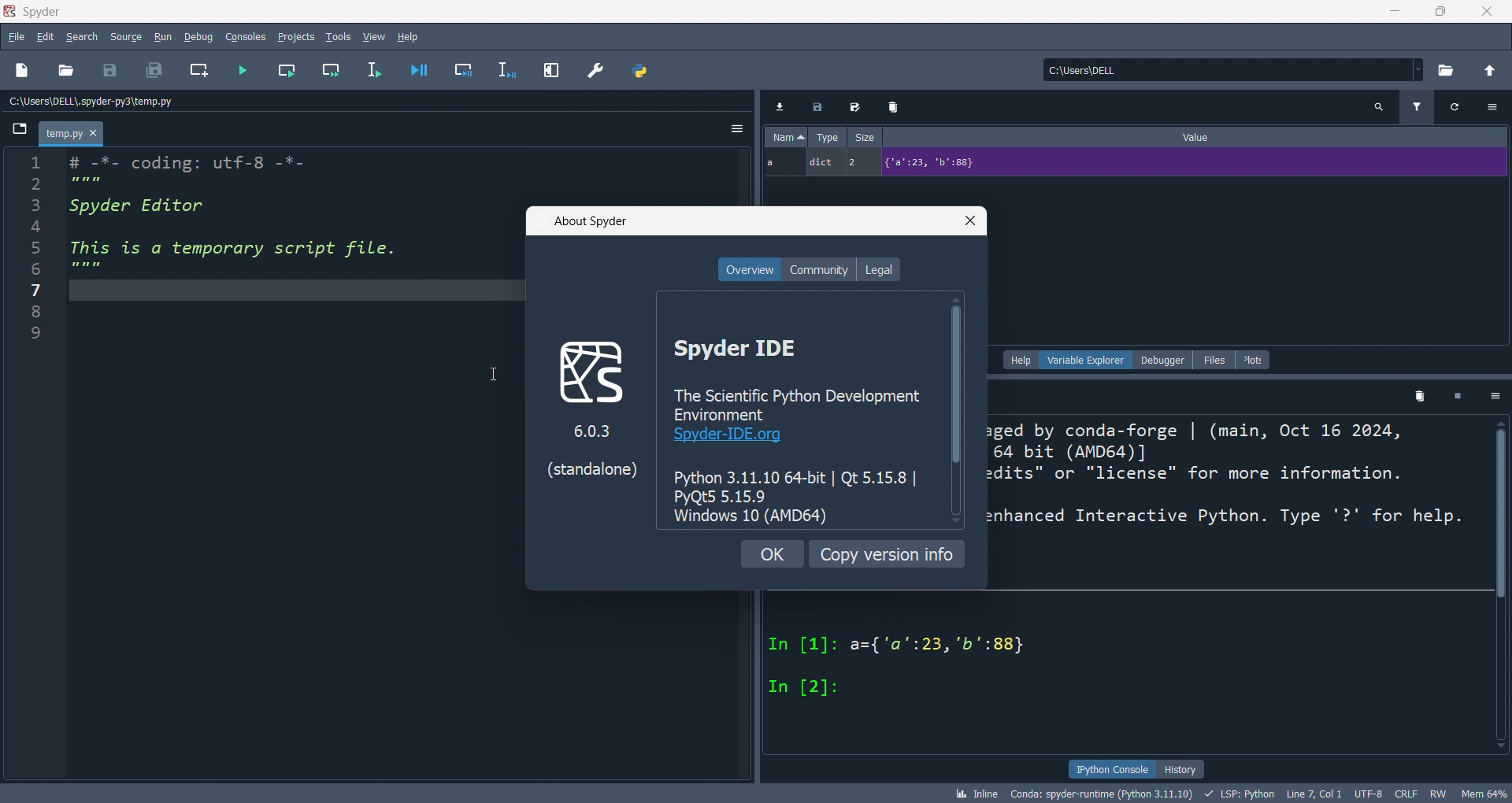  Describe the element at coordinates (736, 128) in the screenshot. I see `Settings` at that location.